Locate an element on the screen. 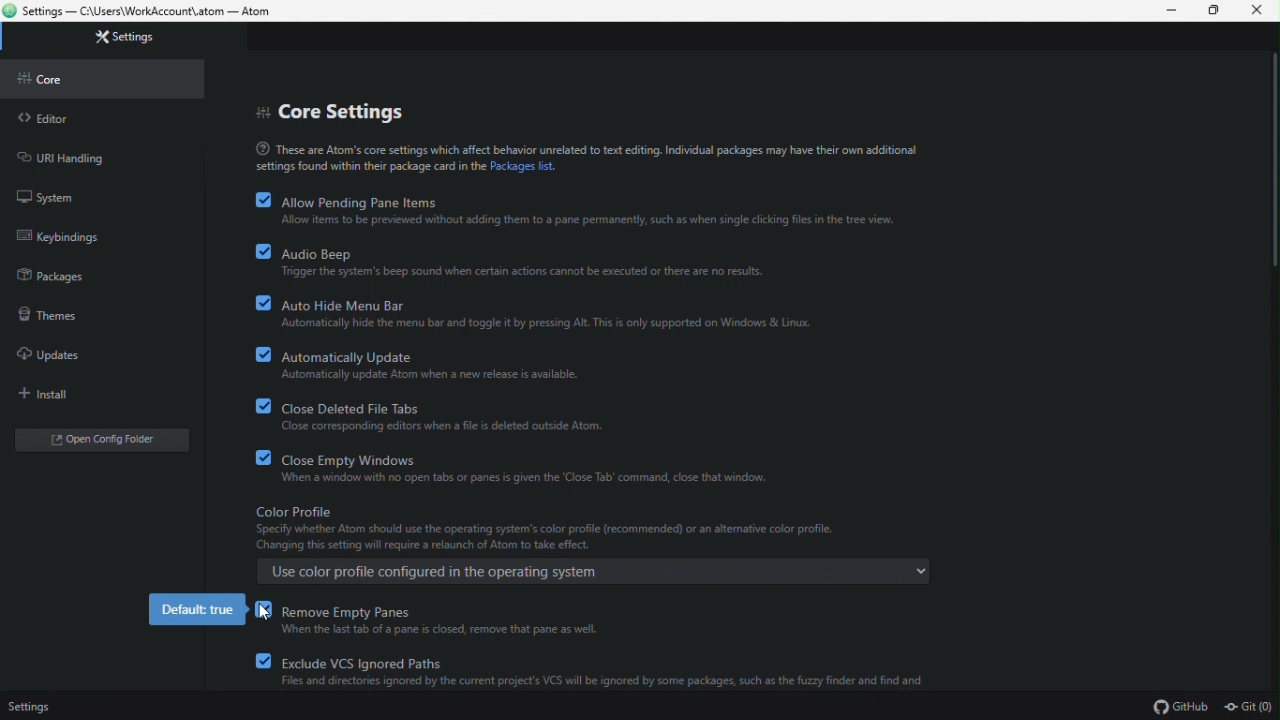 Image resolution: width=1280 pixels, height=720 pixels. checkbox is located at coordinates (255, 302).